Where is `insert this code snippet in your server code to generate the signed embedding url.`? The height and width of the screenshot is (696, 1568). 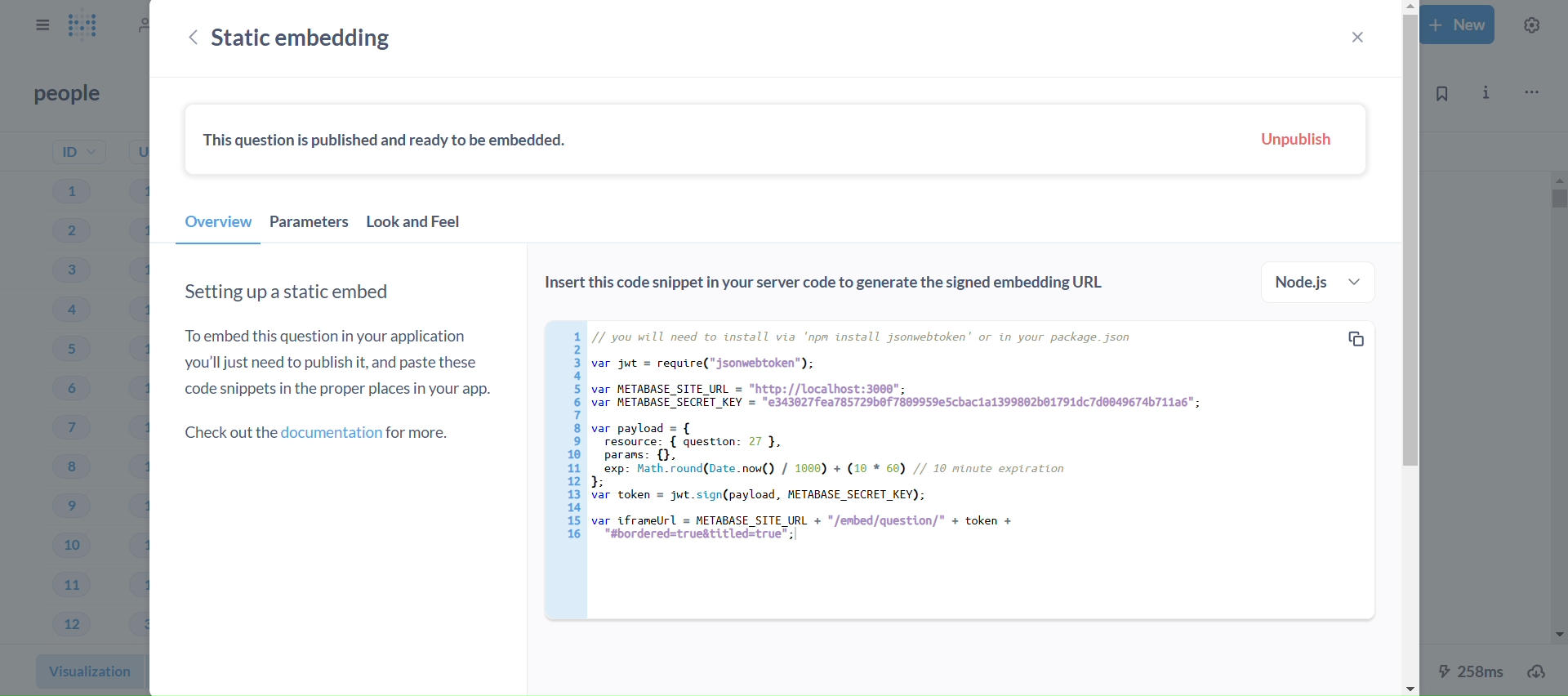
insert this code snippet in your server code to generate the signed embedding url. is located at coordinates (826, 285).